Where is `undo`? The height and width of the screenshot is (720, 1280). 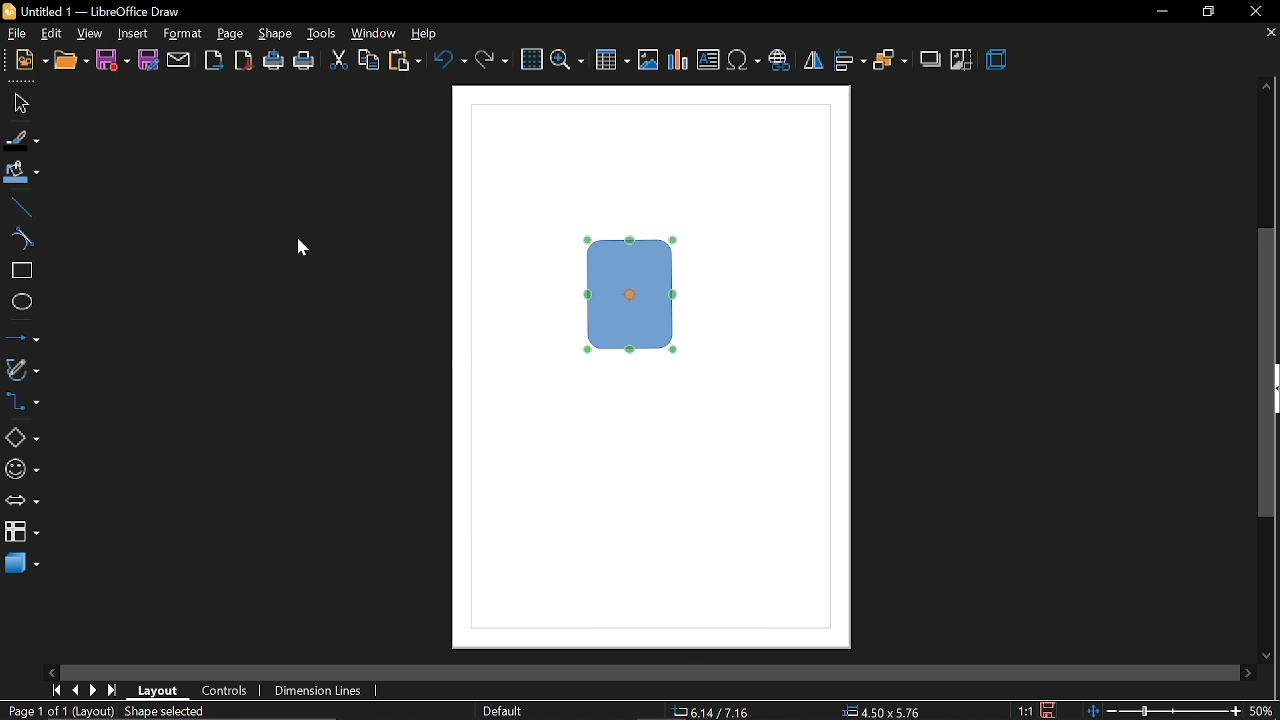 undo is located at coordinates (452, 62).